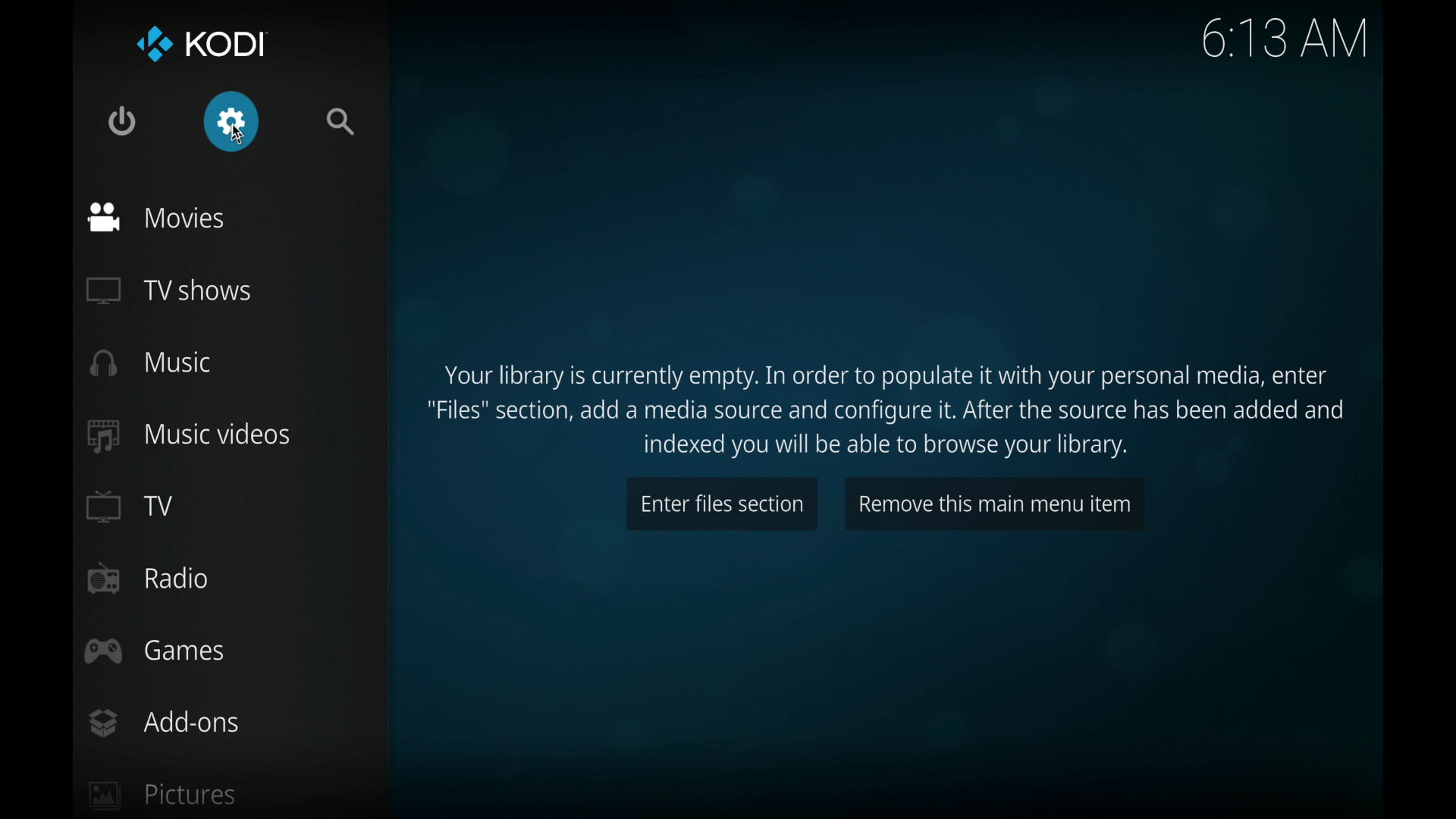 The image size is (1456, 819). Describe the element at coordinates (187, 436) in the screenshot. I see `music videos` at that location.